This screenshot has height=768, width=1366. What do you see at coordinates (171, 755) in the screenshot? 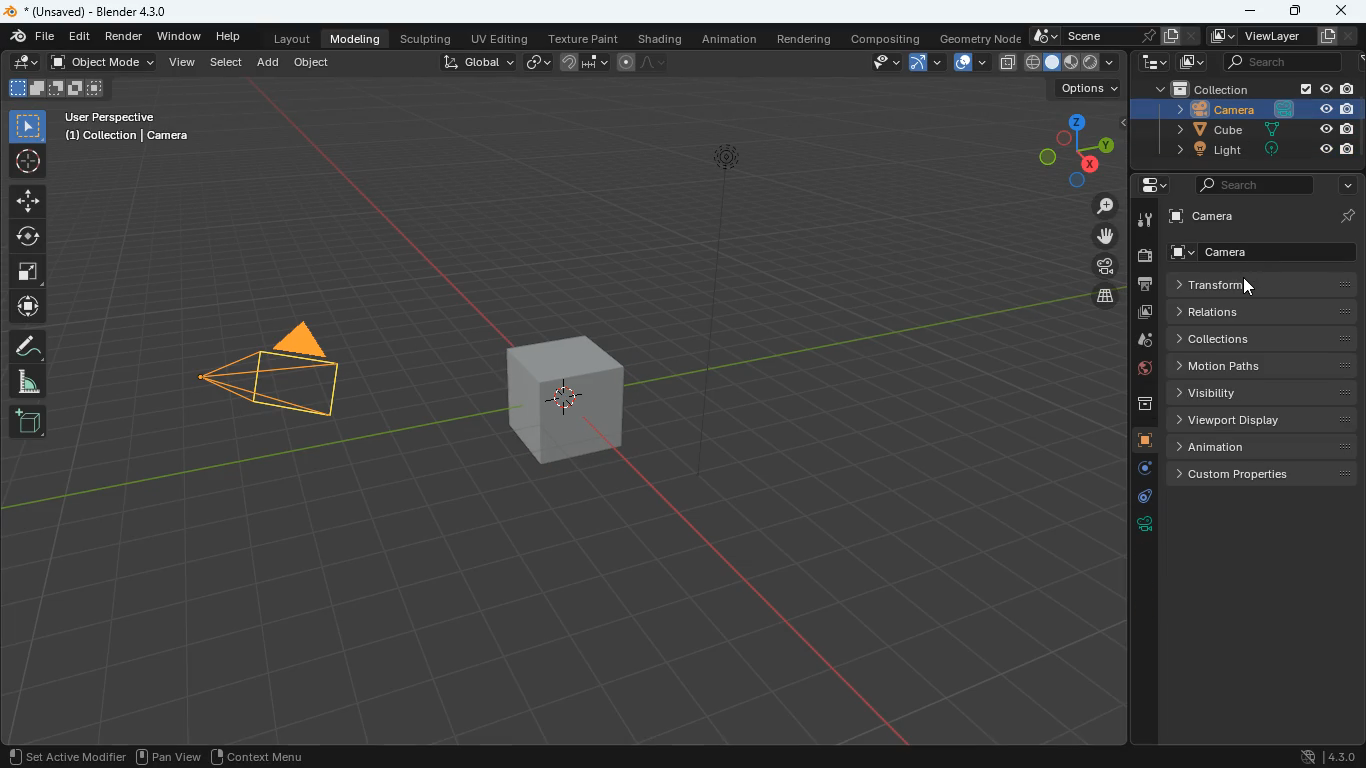
I see `pan view` at bounding box center [171, 755].